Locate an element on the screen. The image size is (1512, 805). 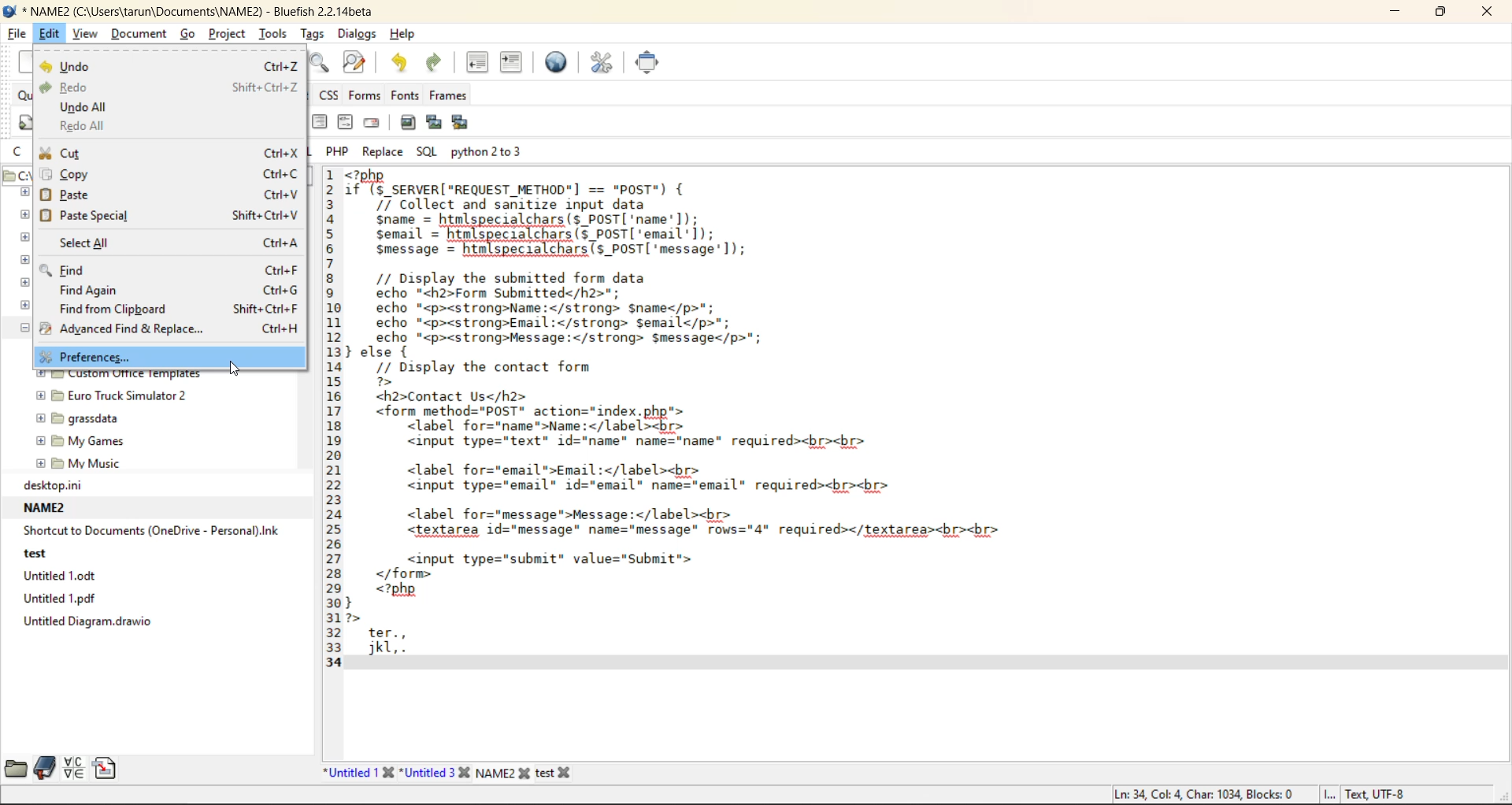
advanced find and replace is located at coordinates (165, 332).